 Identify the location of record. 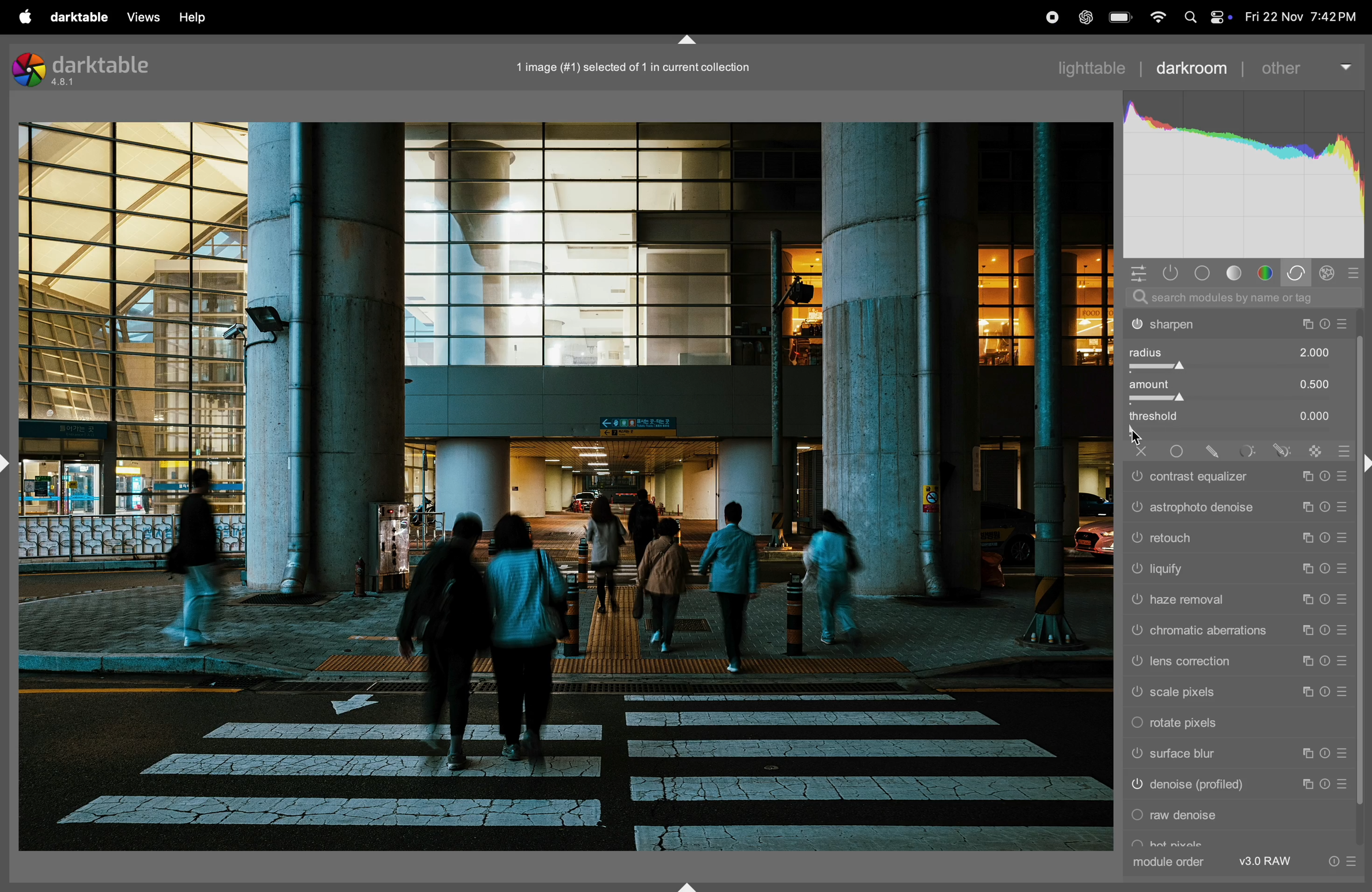
(1007, 17).